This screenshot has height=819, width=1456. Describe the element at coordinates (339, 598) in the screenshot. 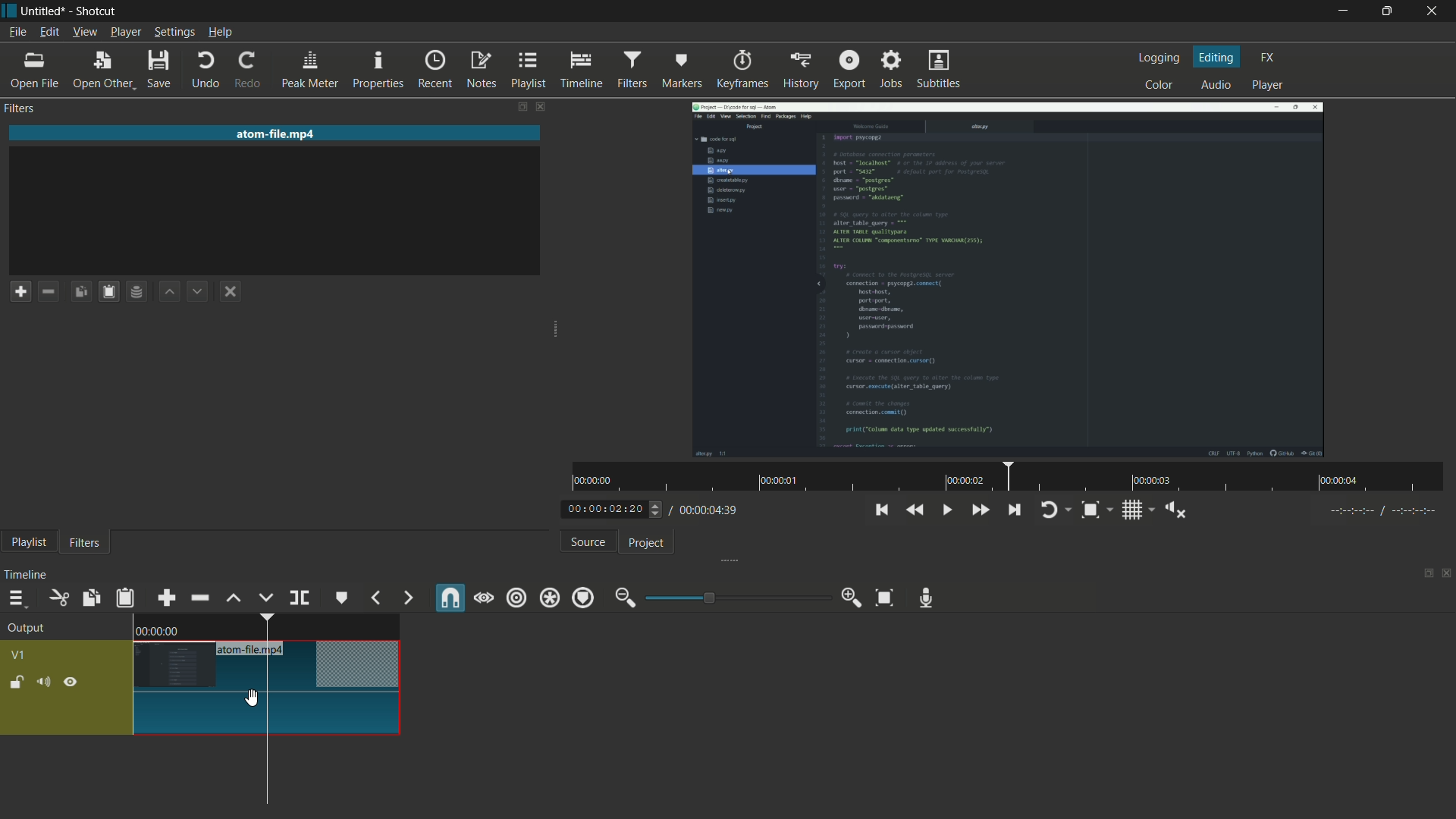

I see `create or edit marker` at that location.